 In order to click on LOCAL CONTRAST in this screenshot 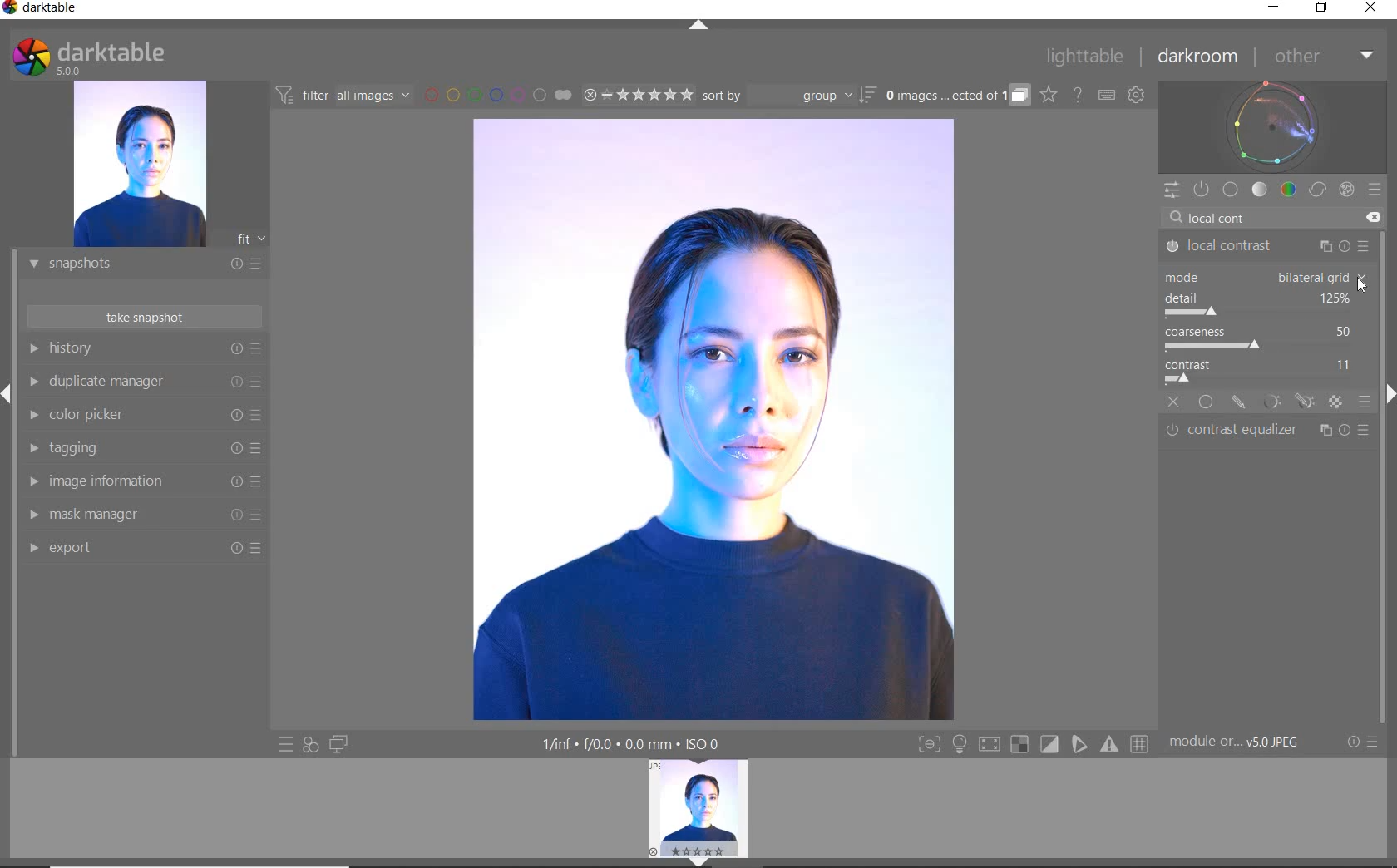, I will do `click(1267, 247)`.